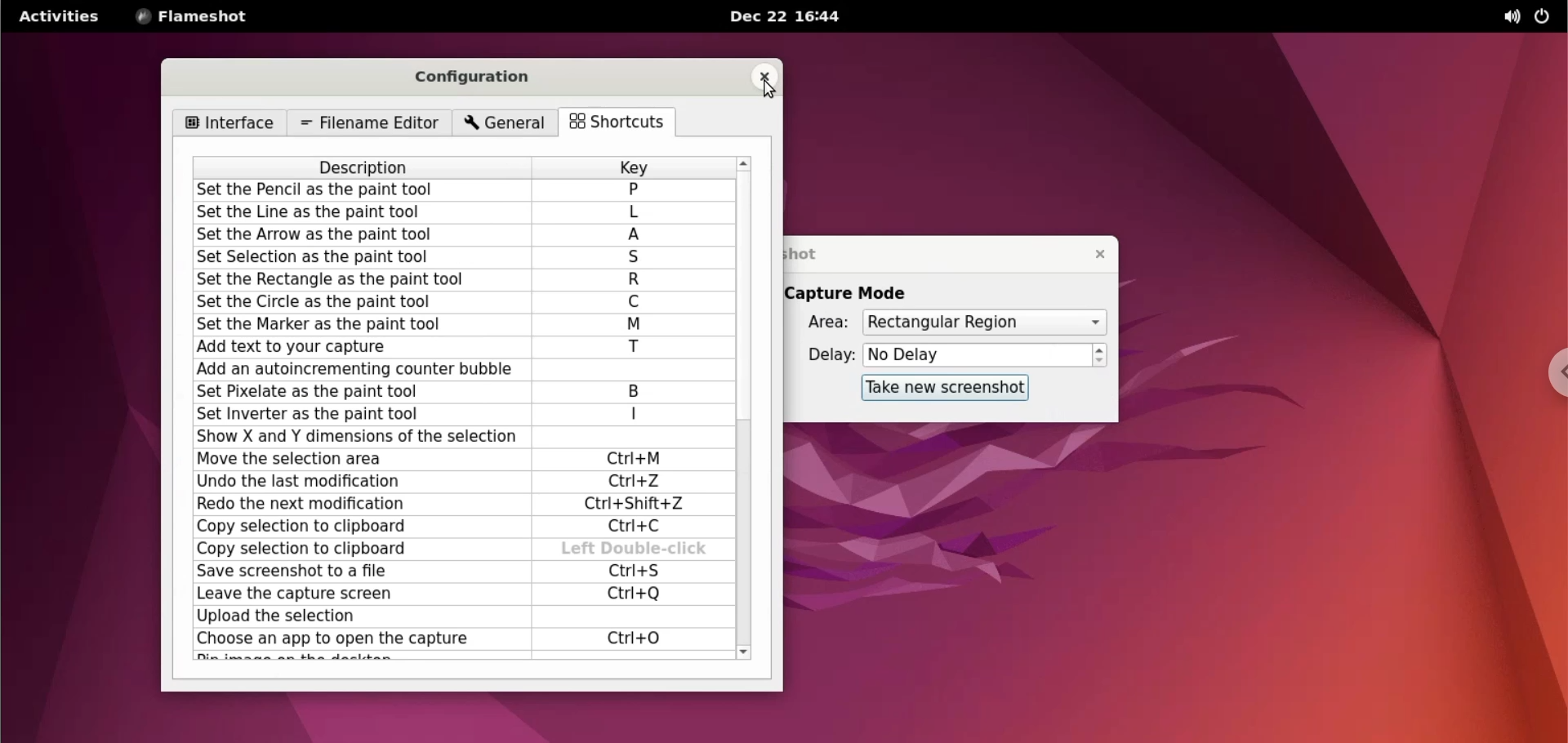  I want to click on move the selection area, so click(354, 459).